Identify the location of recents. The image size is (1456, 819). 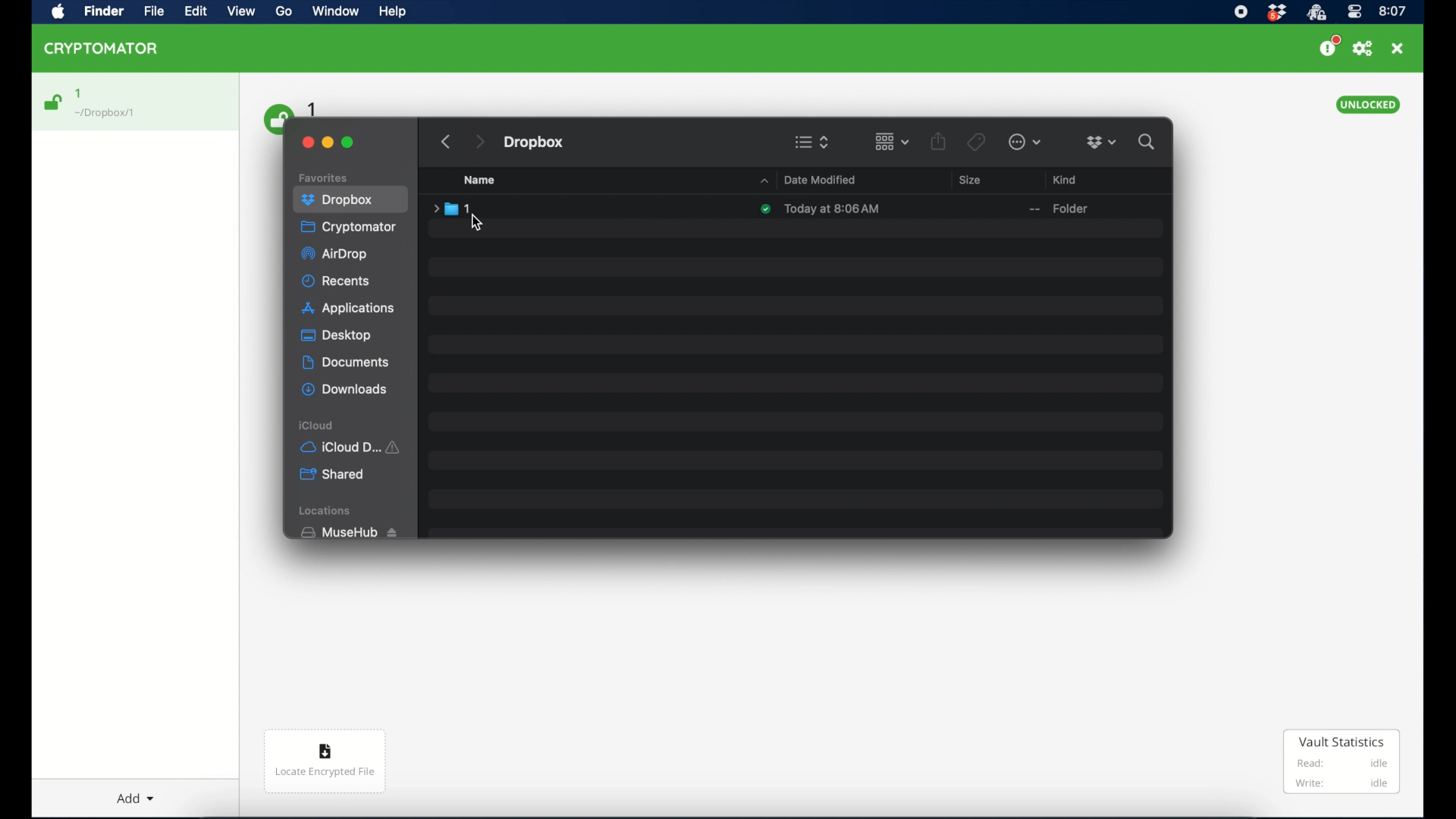
(337, 281).